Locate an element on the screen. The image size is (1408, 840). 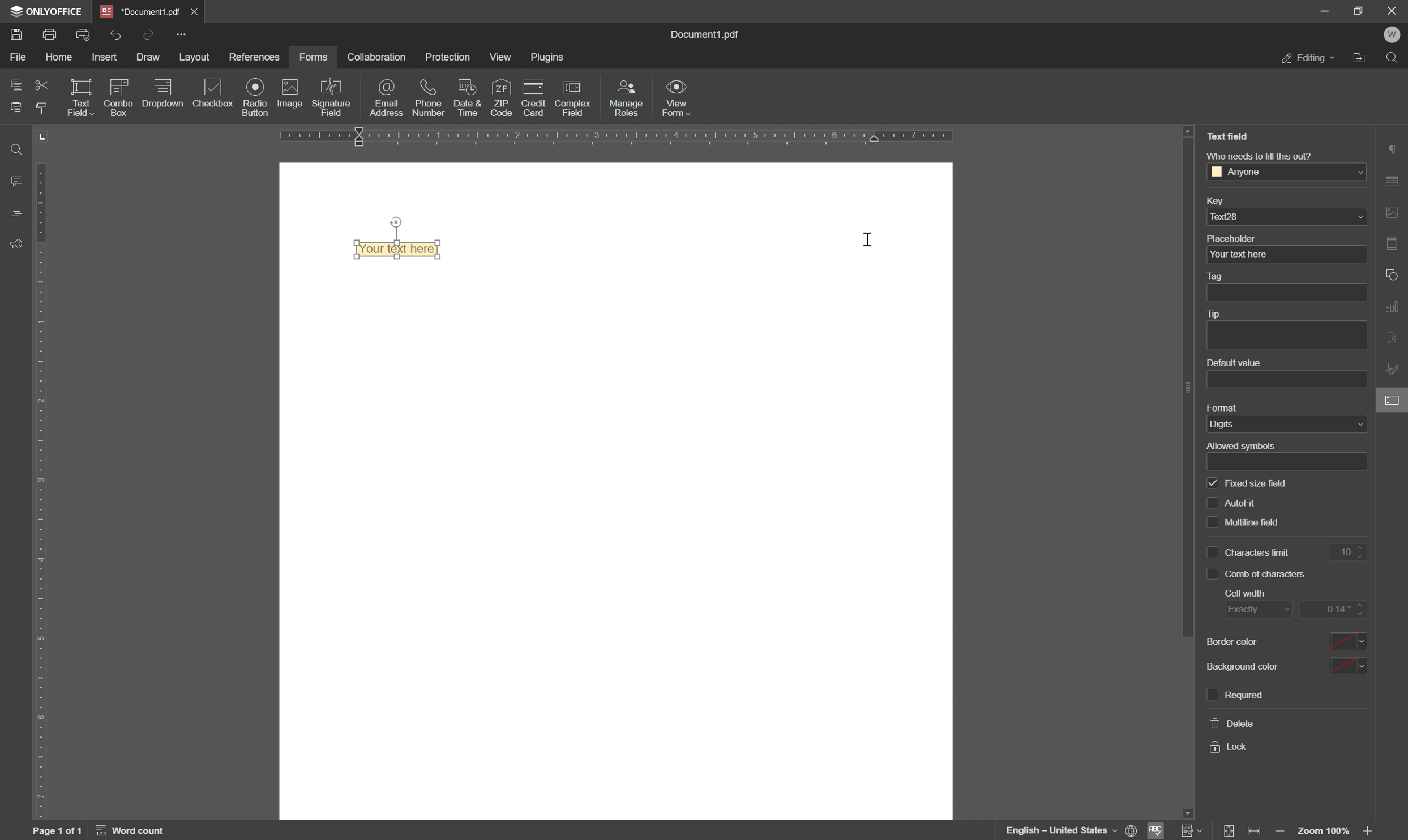
complex field is located at coordinates (576, 97).